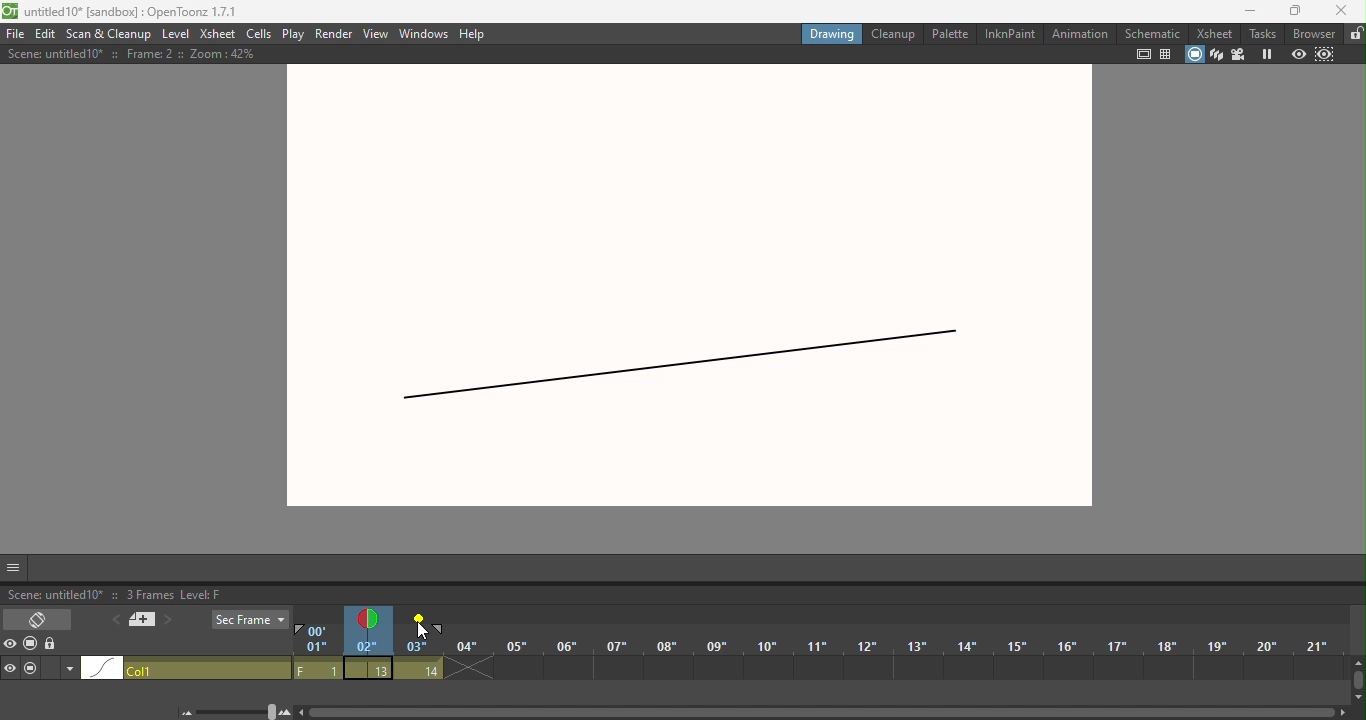 The image size is (1366, 720). Describe the element at coordinates (68, 671) in the screenshot. I see `Additional column settings` at that location.